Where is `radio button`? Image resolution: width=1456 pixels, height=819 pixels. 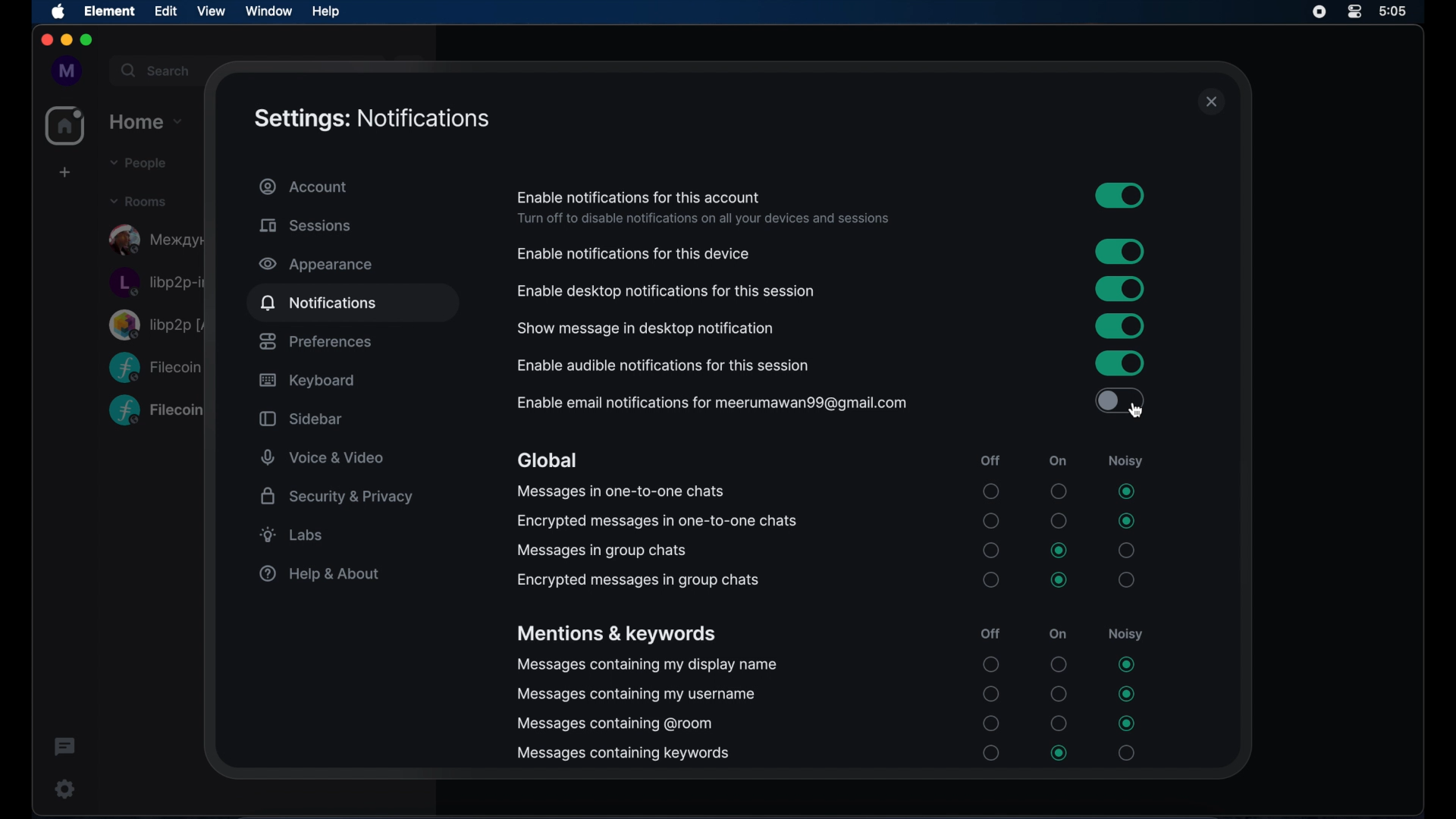
radio button is located at coordinates (991, 579).